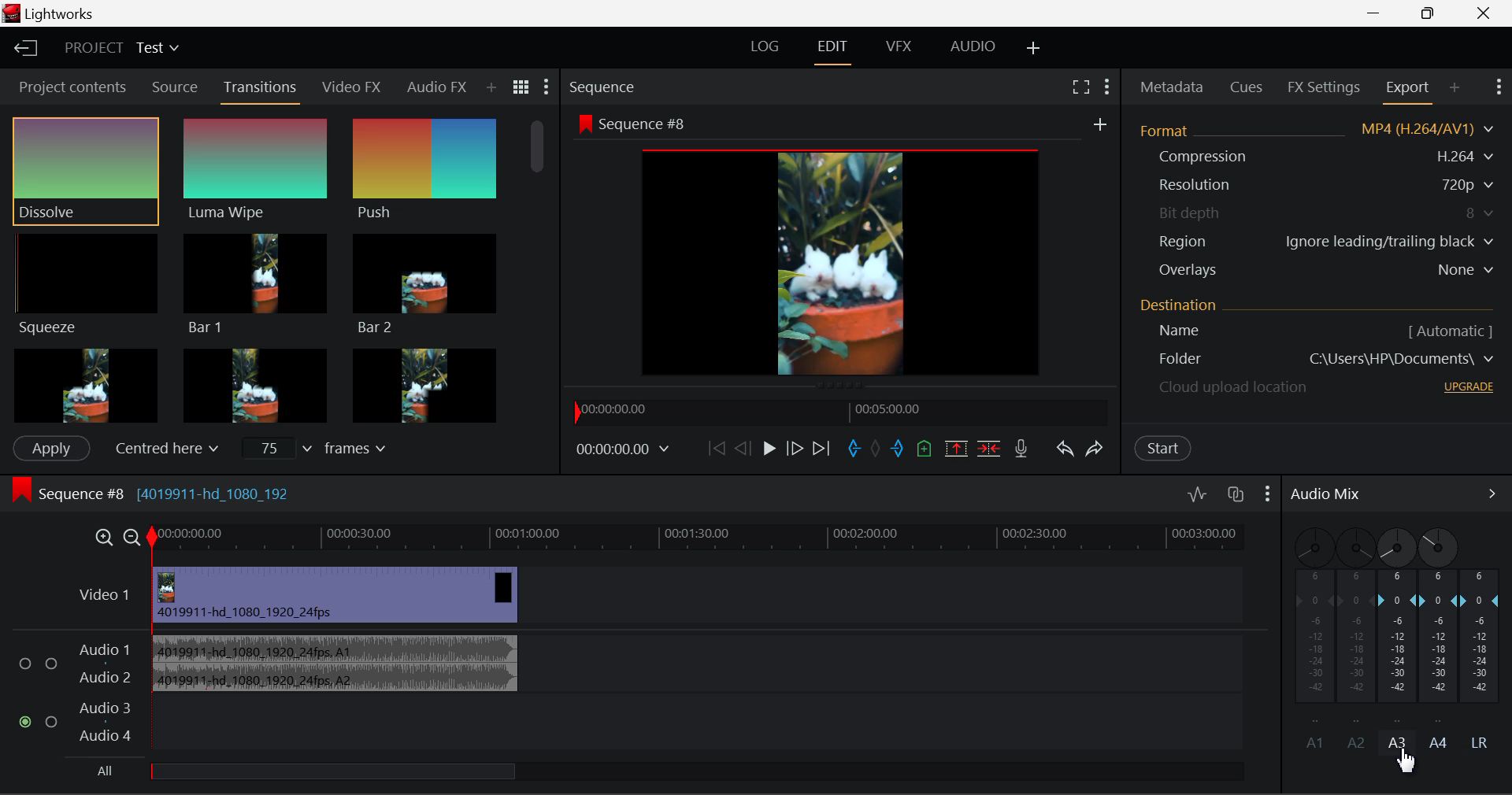  I want to click on Toggle auto track sync, so click(1233, 499).